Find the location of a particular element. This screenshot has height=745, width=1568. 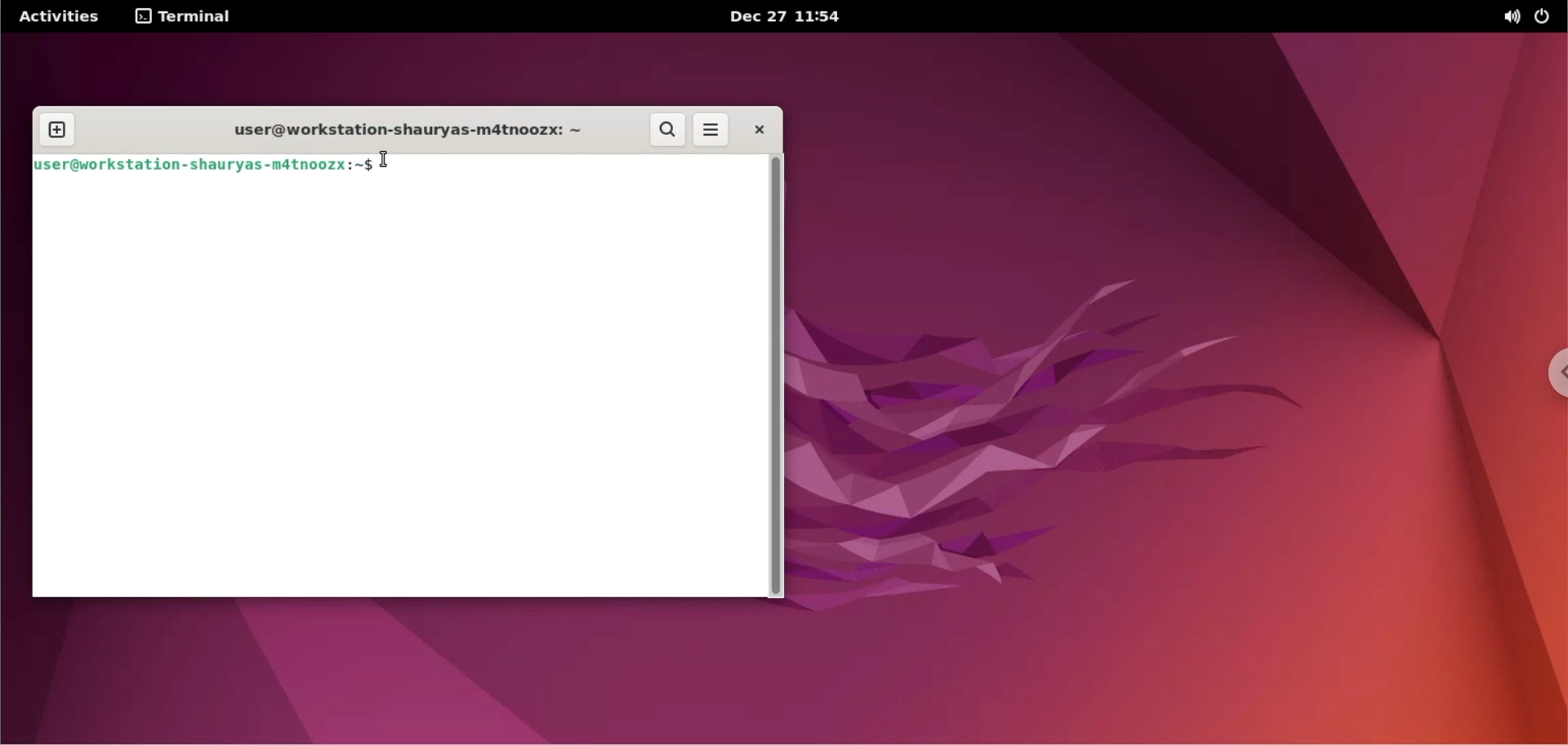

power options is located at coordinates (1545, 16).